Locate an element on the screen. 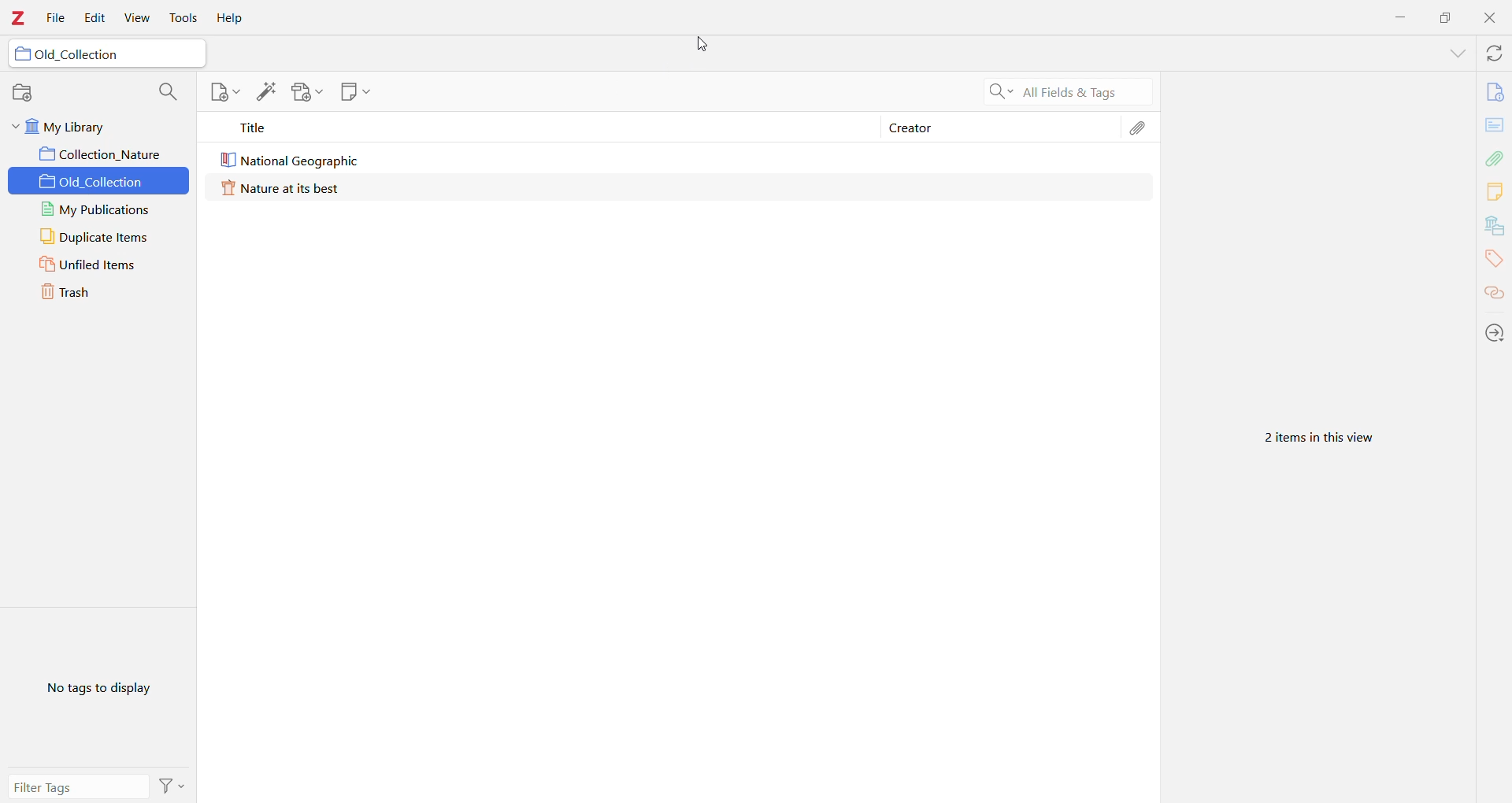  Edit is located at coordinates (95, 17).